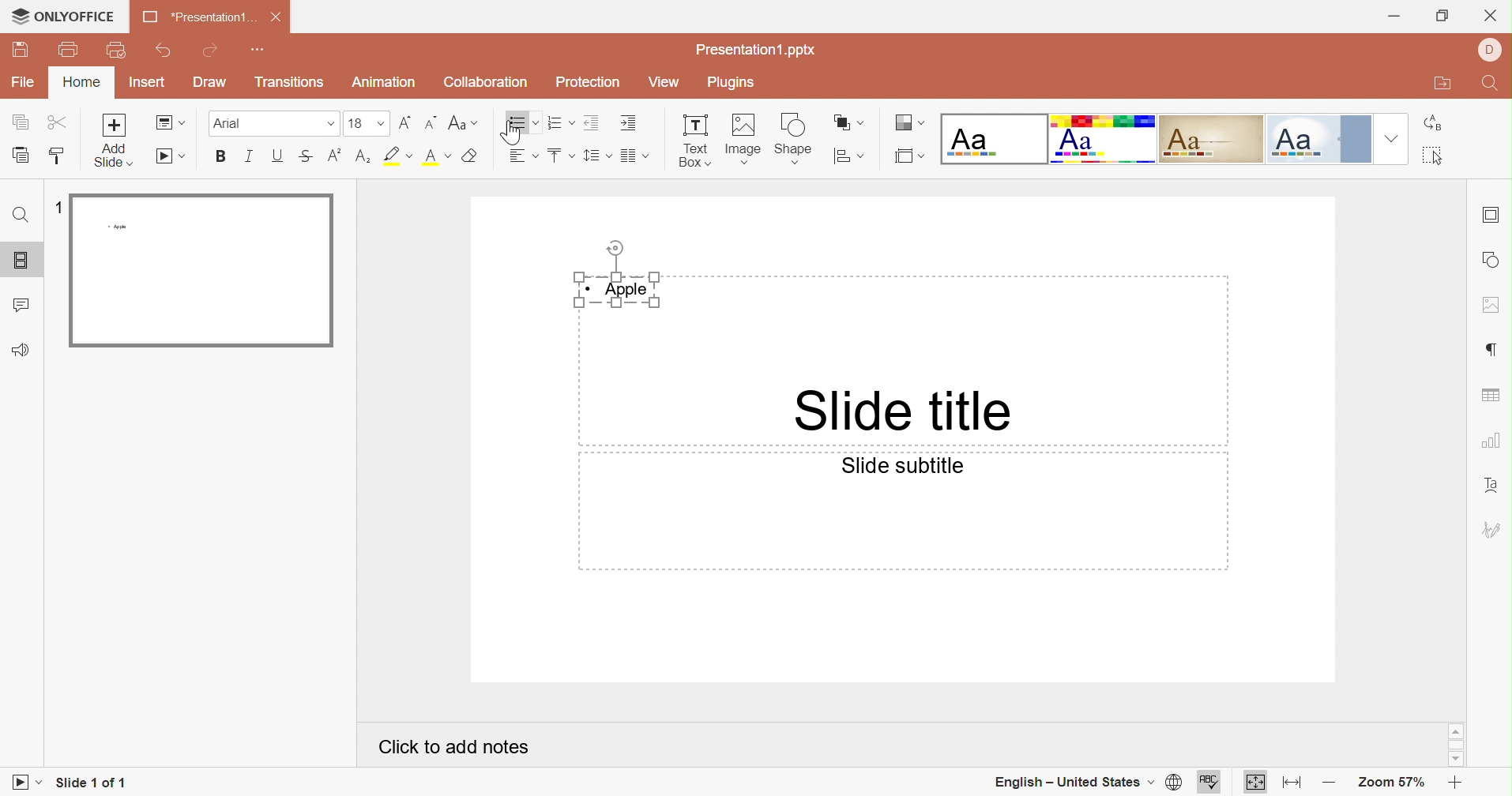  What do you see at coordinates (69, 51) in the screenshot?
I see `print` at bounding box center [69, 51].